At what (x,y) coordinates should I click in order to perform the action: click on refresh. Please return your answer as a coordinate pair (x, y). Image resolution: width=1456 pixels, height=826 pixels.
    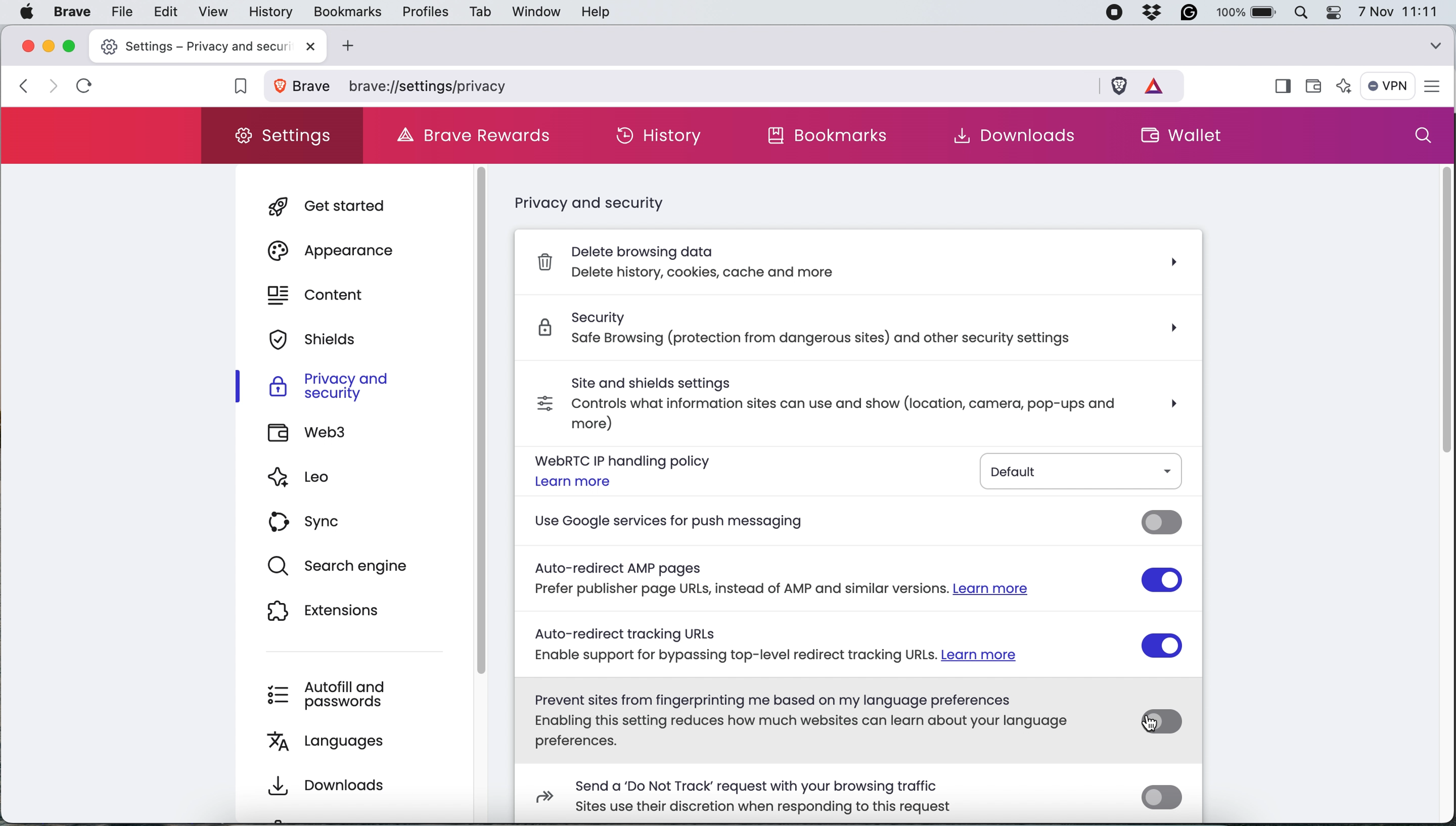
    Looking at the image, I should click on (85, 86).